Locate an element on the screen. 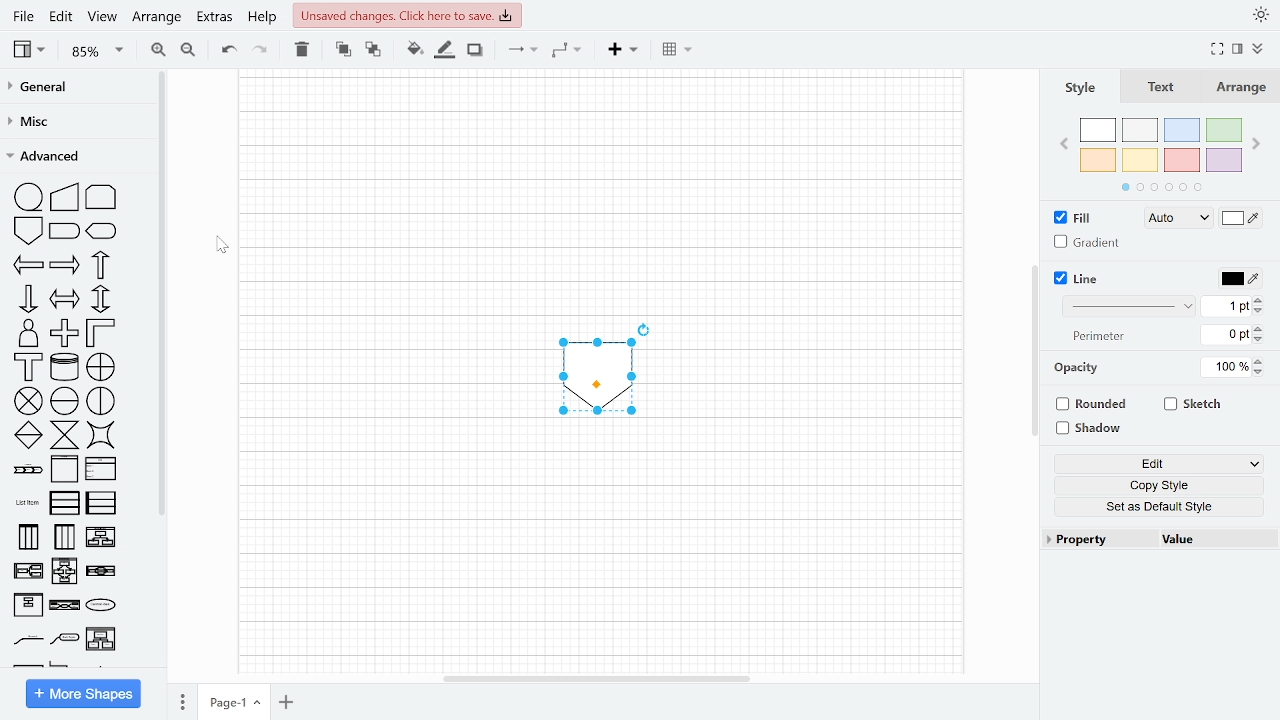 Image resolution: width=1280 pixels, height=720 pixels. sum is located at coordinates (30, 402).